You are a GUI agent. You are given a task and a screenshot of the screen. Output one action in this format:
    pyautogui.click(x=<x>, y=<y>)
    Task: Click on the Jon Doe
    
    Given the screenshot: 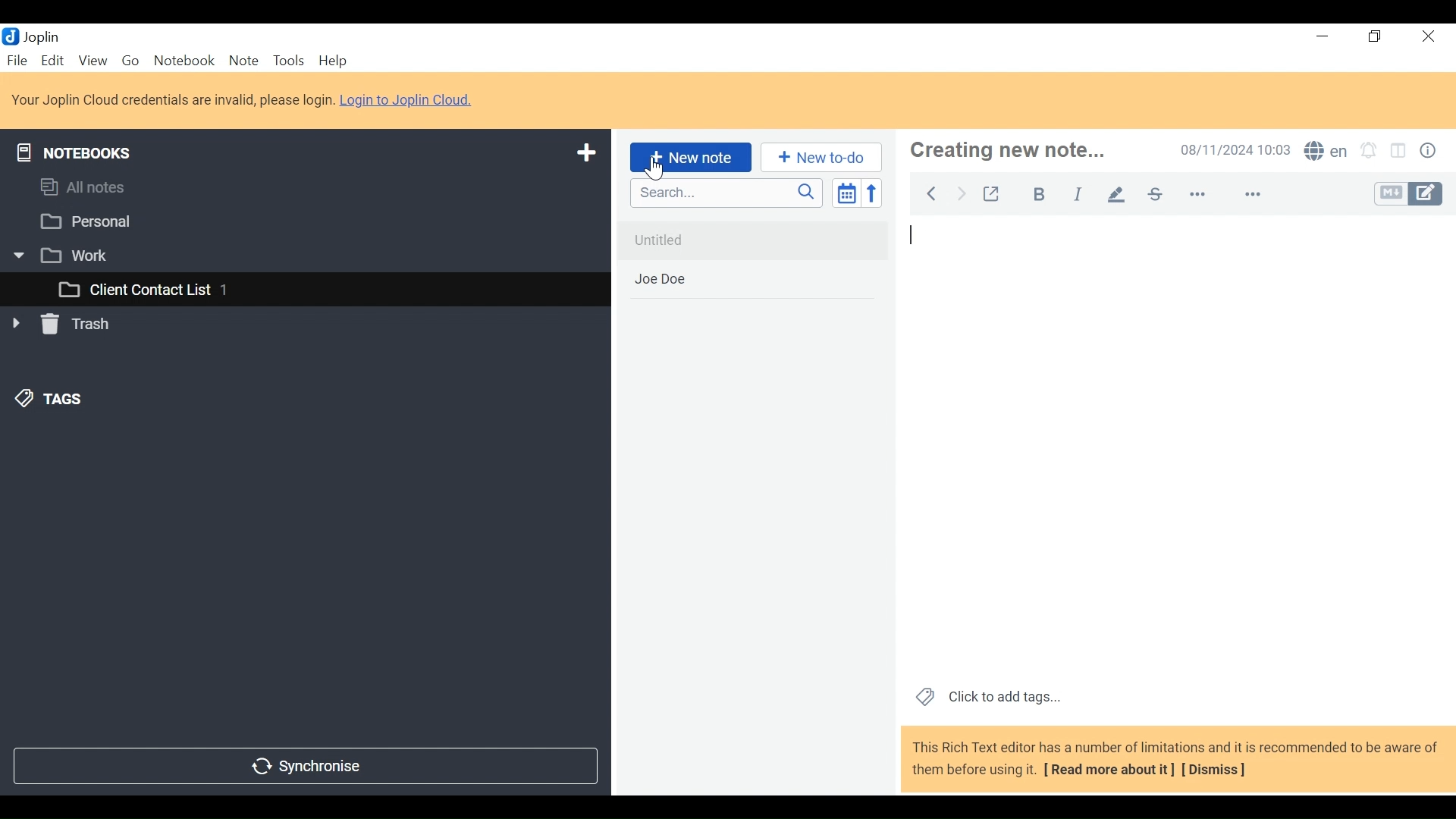 What is the action you would take?
    pyautogui.click(x=752, y=280)
    